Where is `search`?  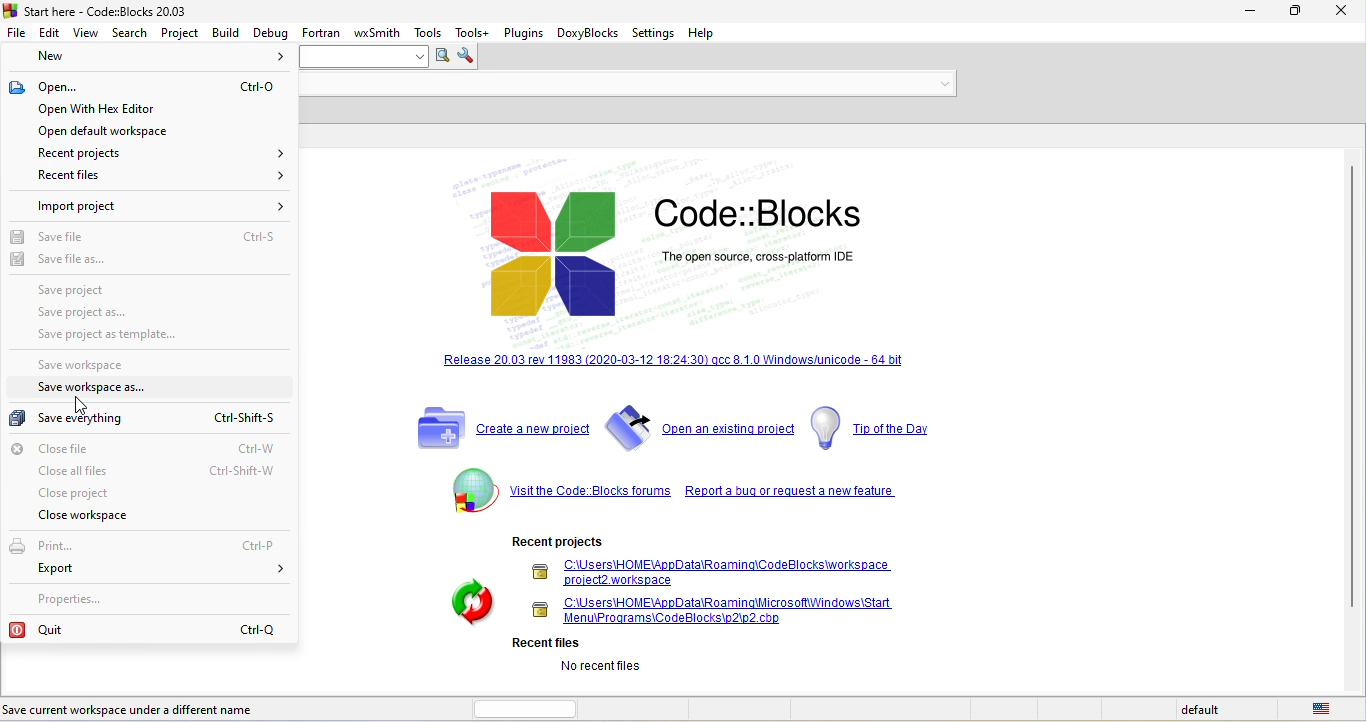
search is located at coordinates (133, 32).